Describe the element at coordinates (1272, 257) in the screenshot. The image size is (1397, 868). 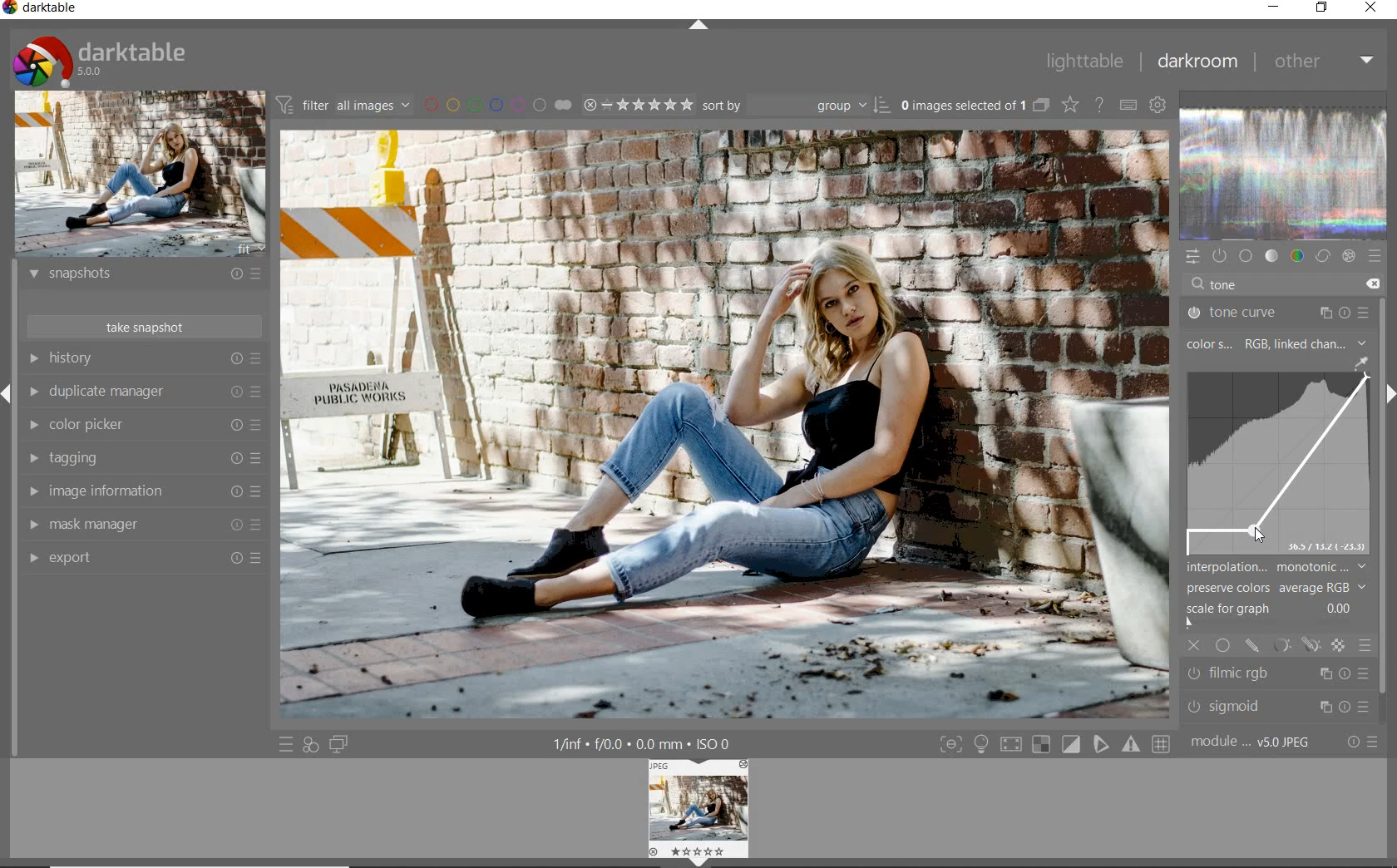
I see `tone` at that location.